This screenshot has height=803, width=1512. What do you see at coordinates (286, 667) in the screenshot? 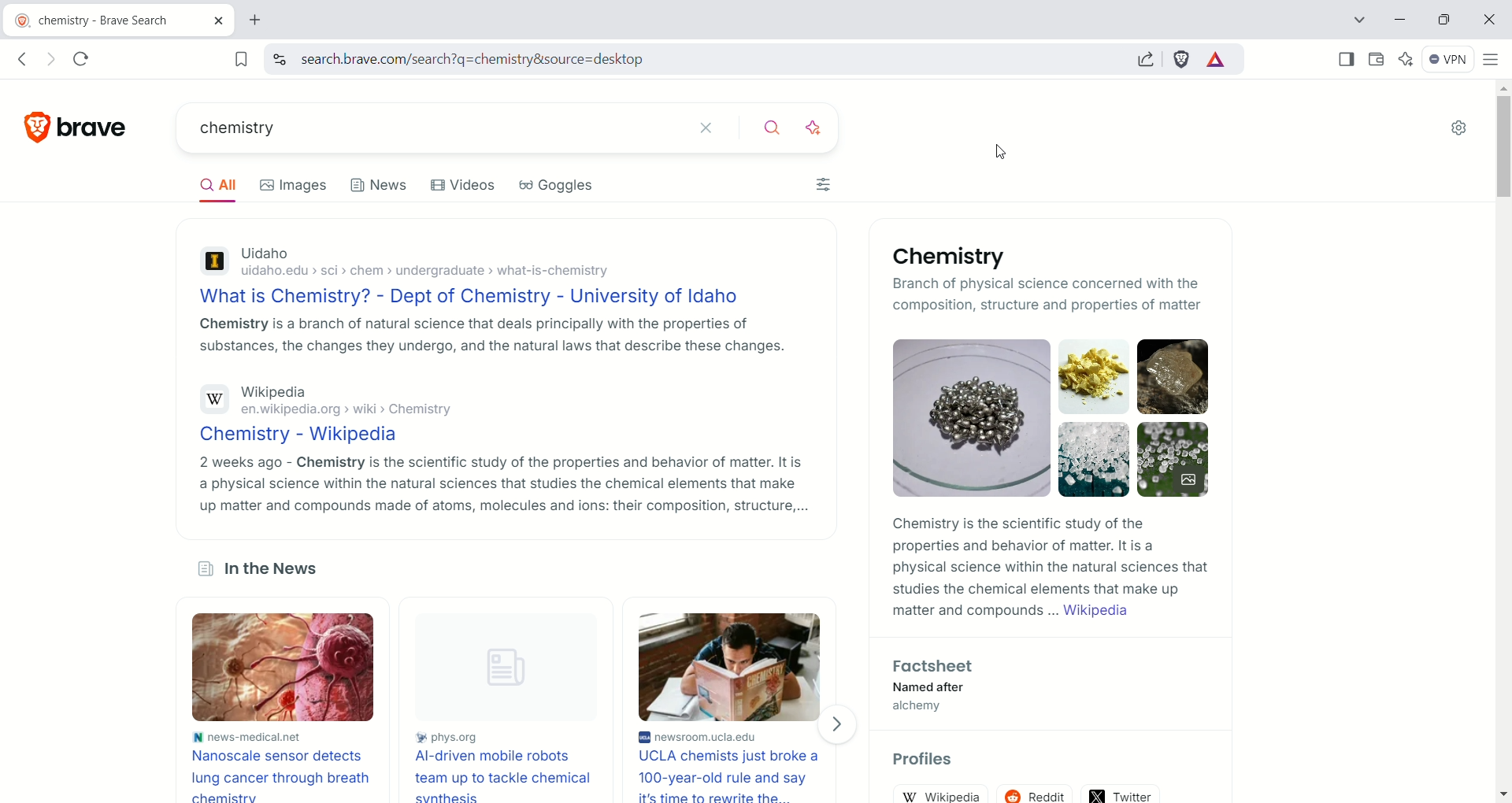
I see `image related to lung cancer` at bounding box center [286, 667].